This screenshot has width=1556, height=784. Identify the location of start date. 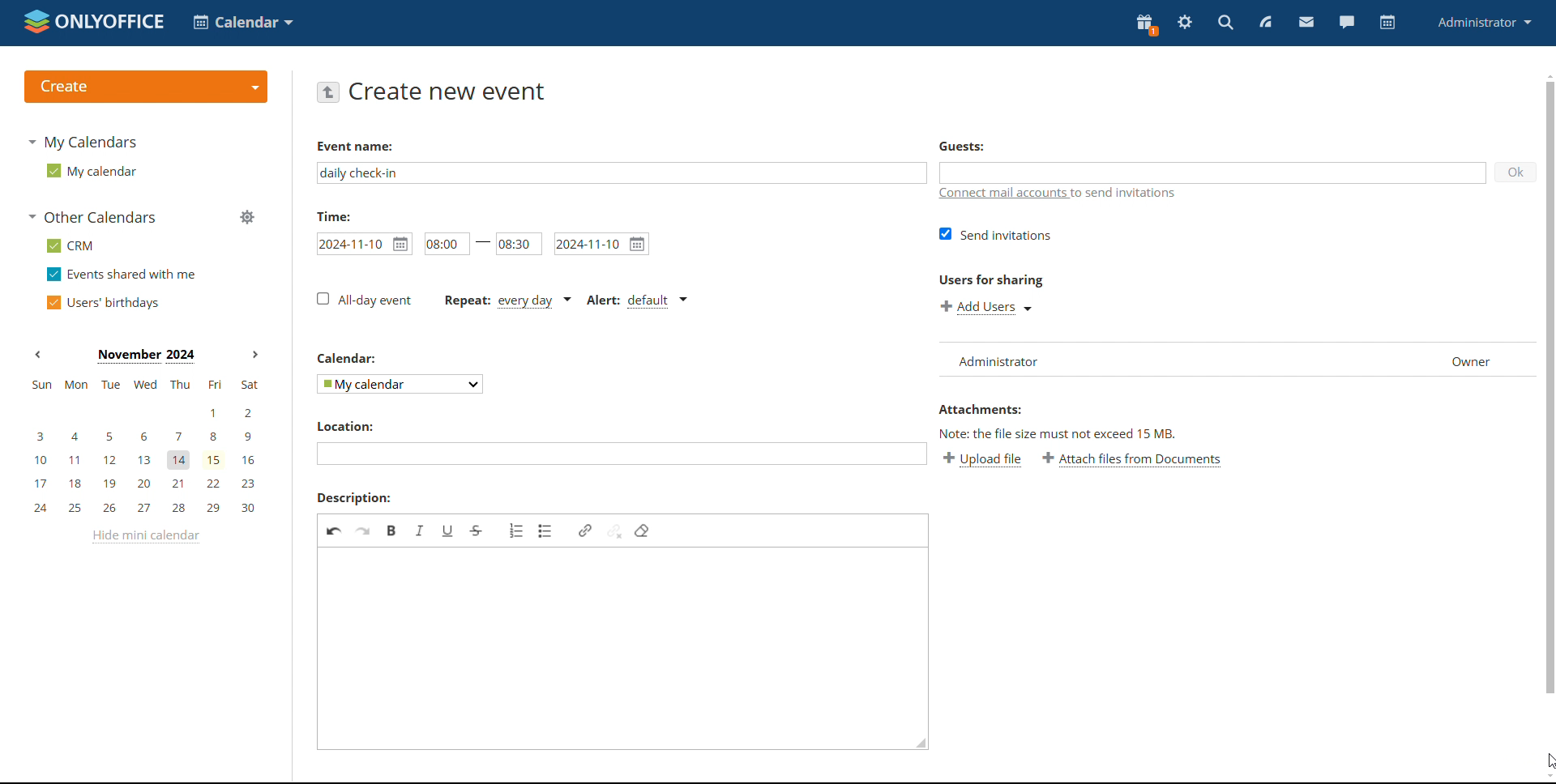
(364, 242).